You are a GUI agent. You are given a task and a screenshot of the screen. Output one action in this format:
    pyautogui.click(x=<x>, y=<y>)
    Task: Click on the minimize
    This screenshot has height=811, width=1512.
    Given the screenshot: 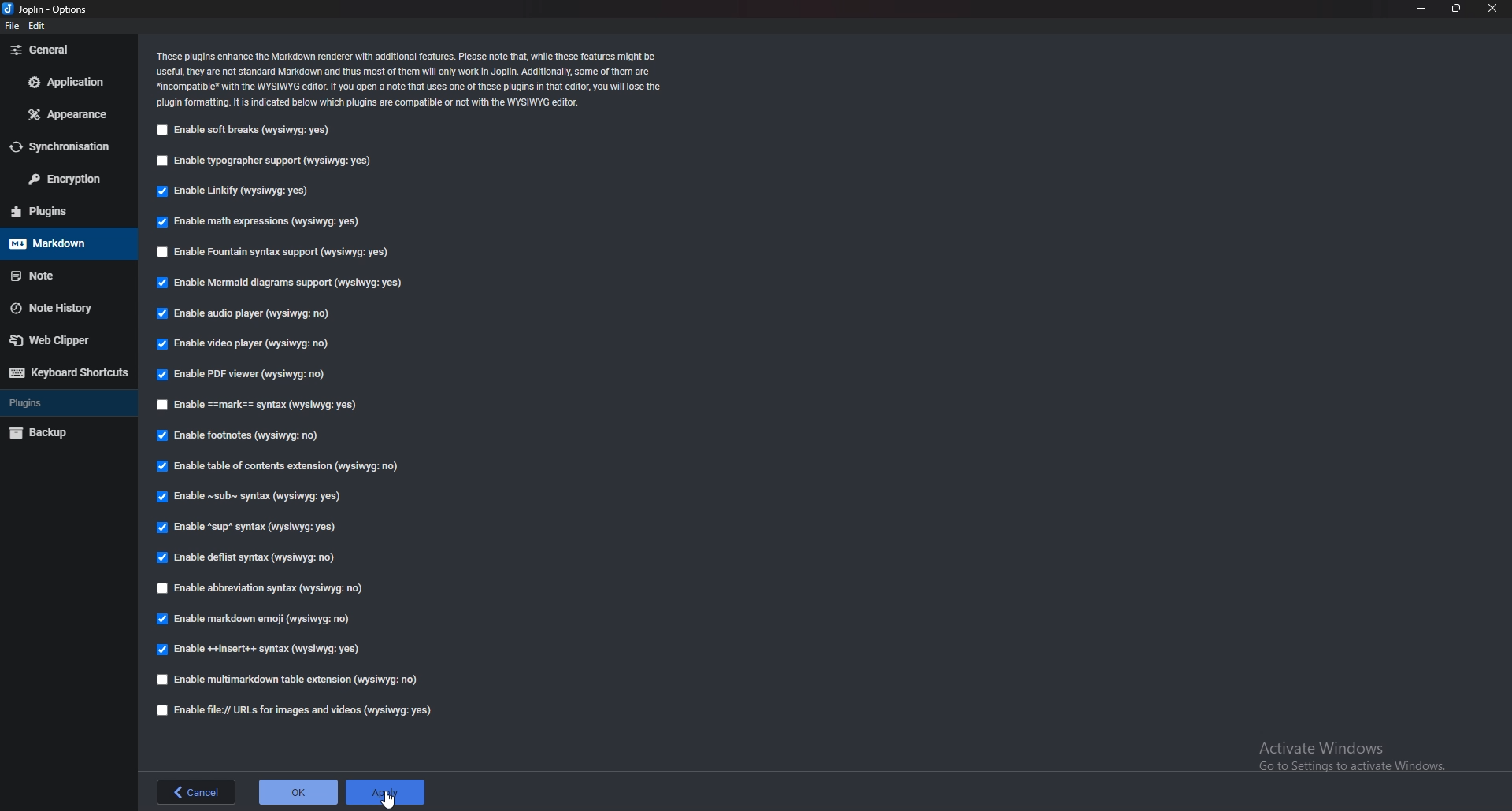 What is the action you would take?
    pyautogui.click(x=1421, y=8)
    